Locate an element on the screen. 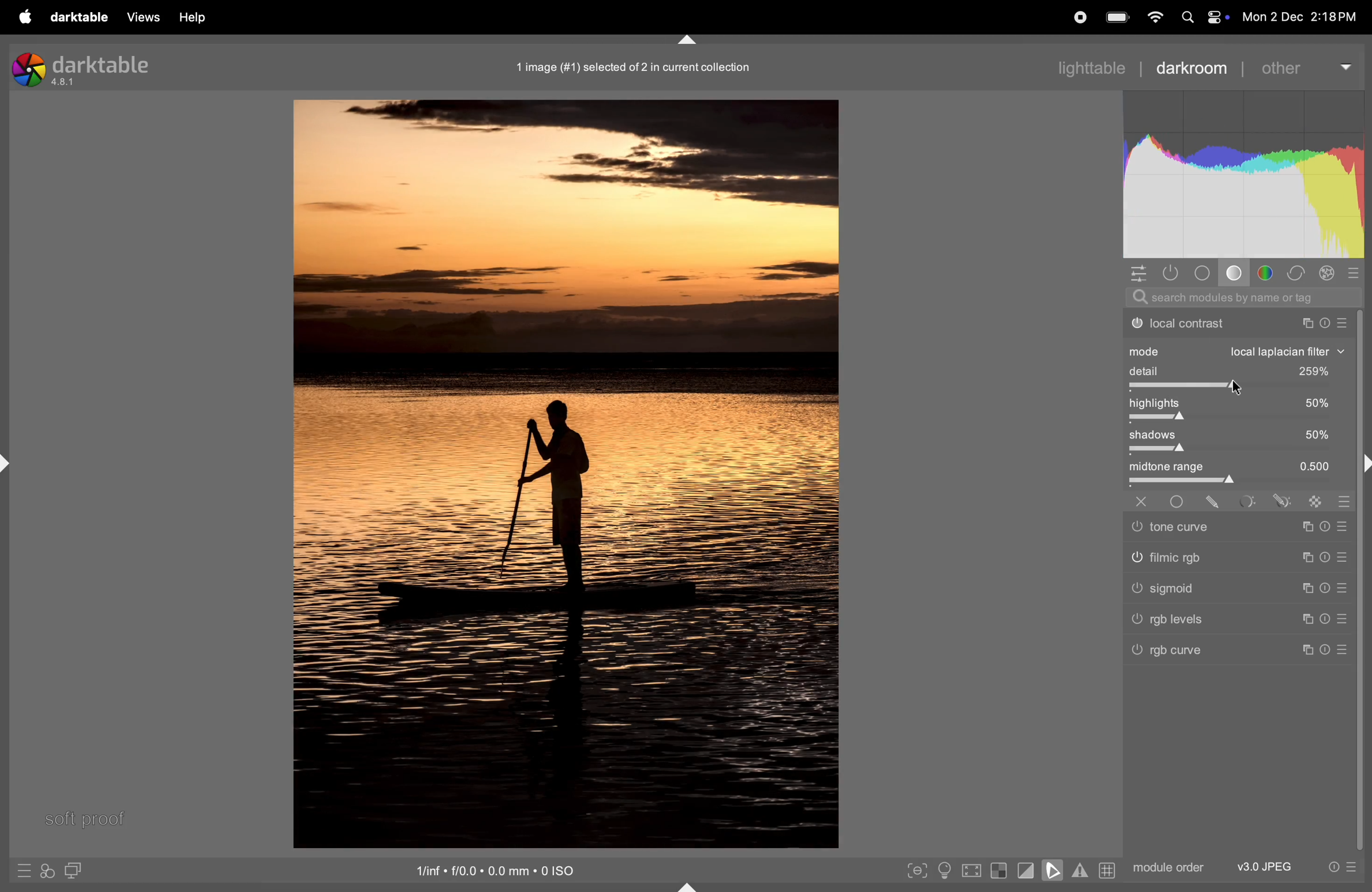 The width and height of the screenshot is (1372, 892). iso is located at coordinates (490, 869).